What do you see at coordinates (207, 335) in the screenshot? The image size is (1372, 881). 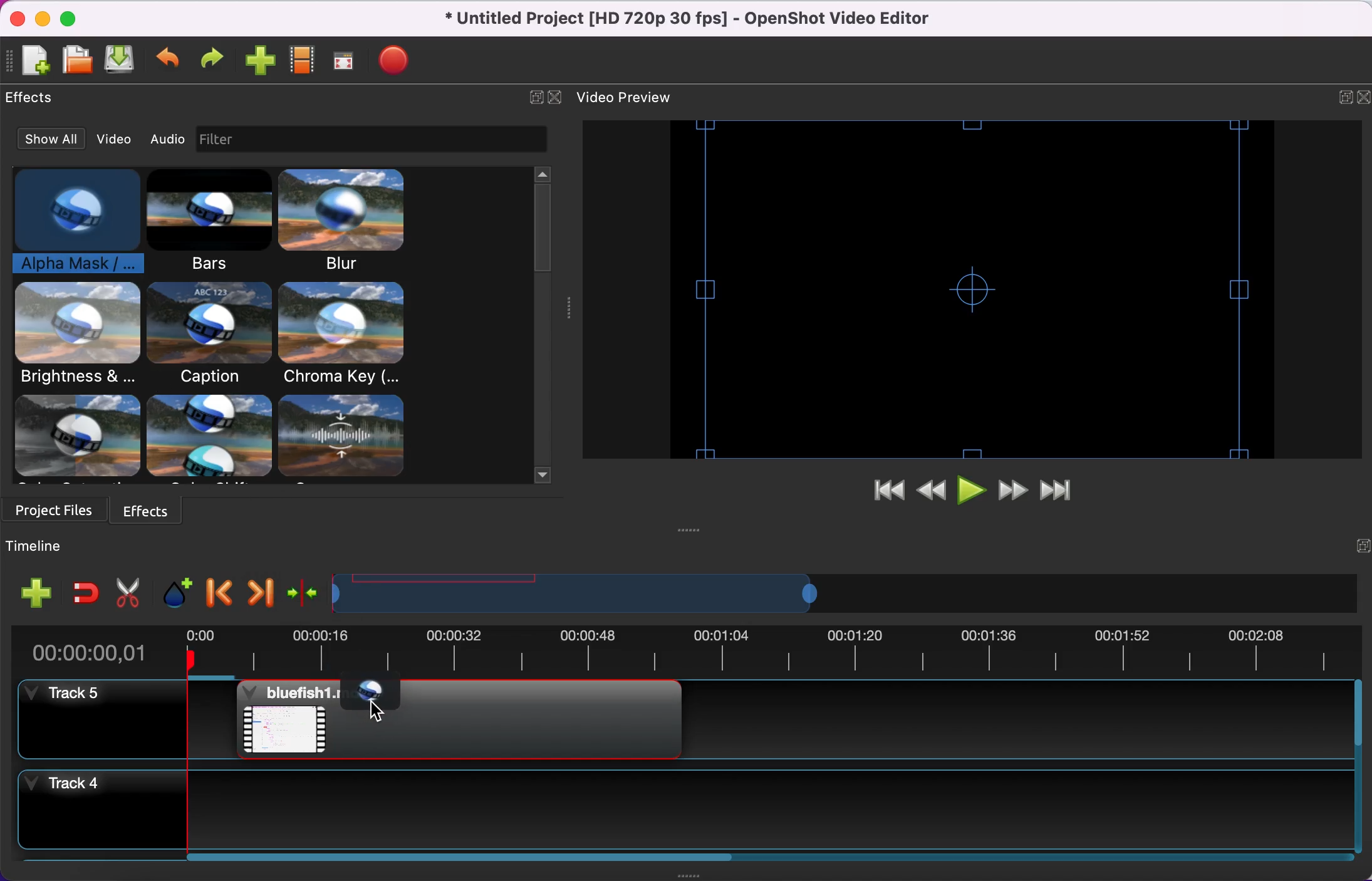 I see `caption` at bounding box center [207, 335].